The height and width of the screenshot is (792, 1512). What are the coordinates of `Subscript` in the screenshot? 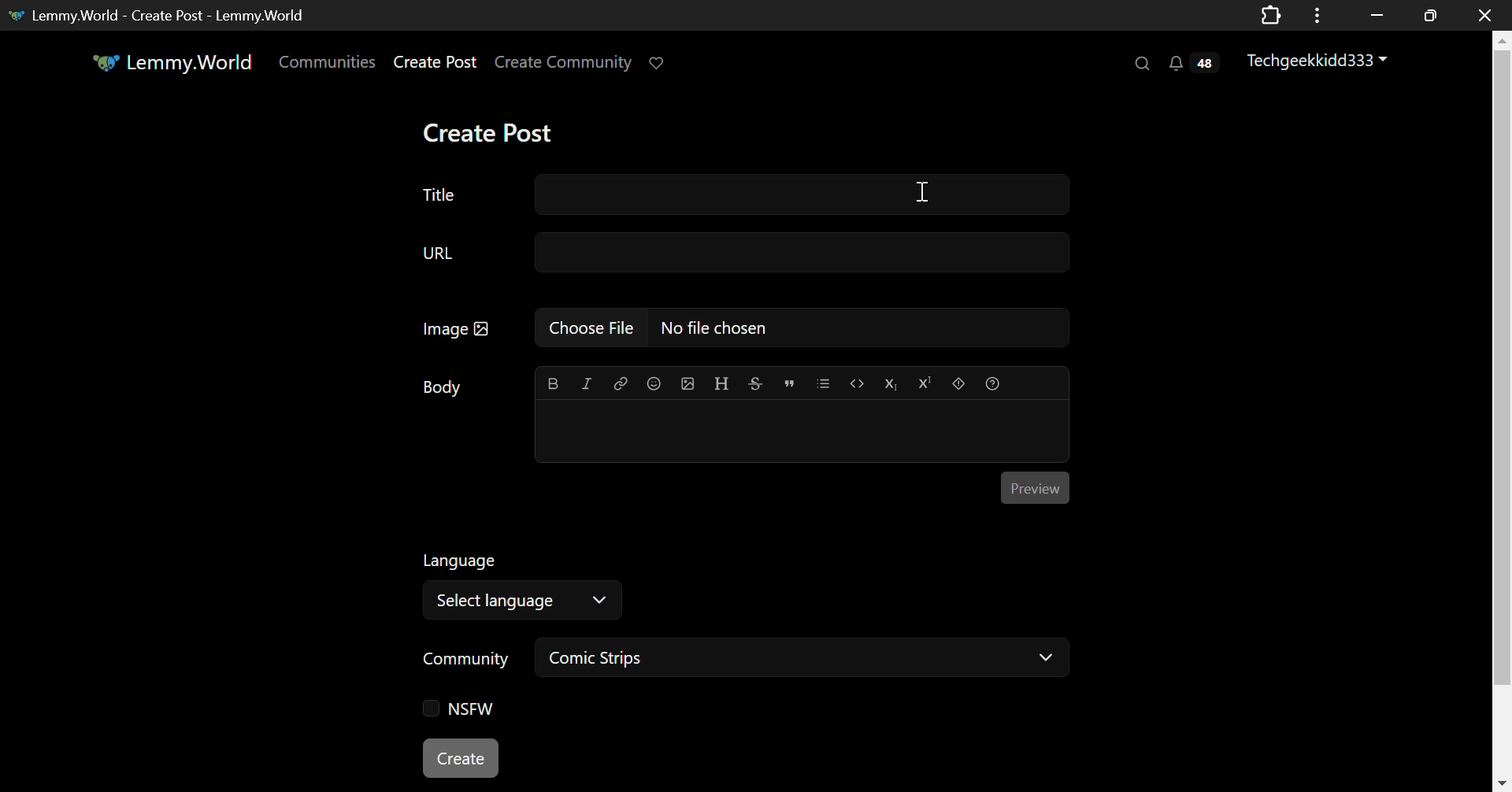 It's located at (891, 383).